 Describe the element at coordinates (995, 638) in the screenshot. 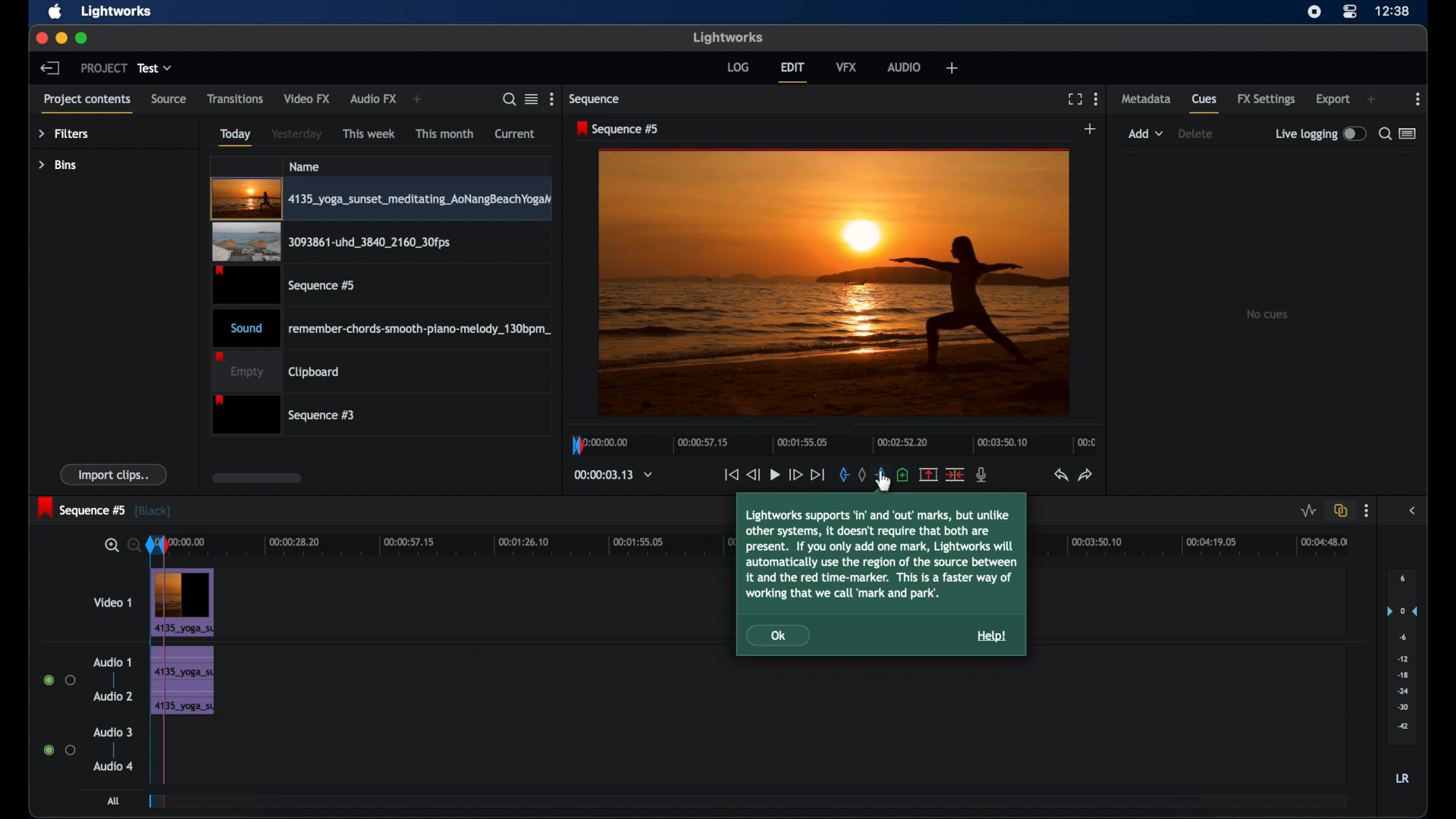

I see `Help` at that location.